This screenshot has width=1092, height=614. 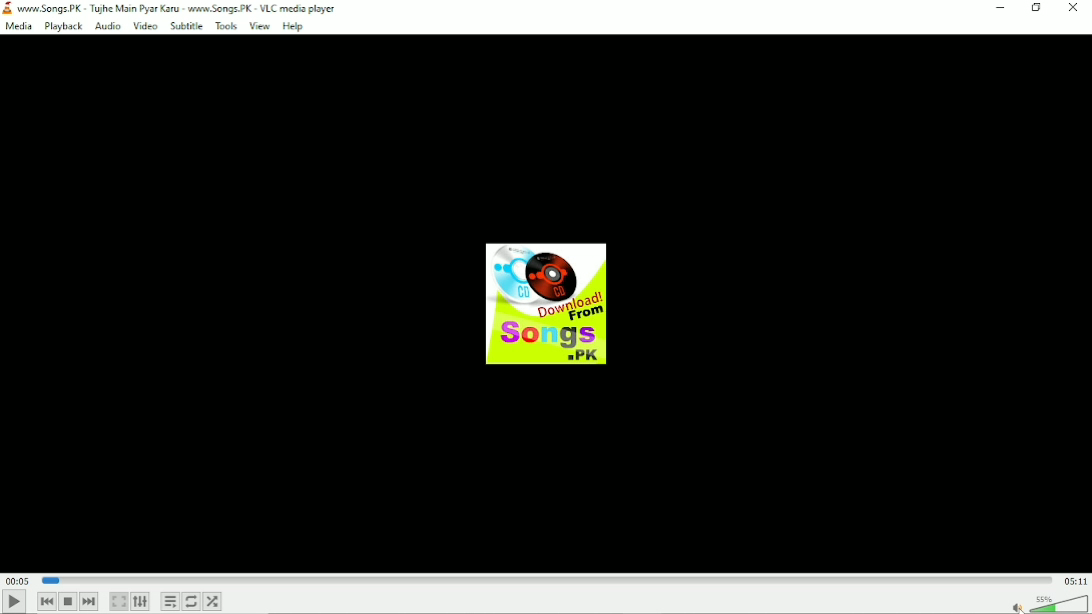 I want to click on Previous, so click(x=48, y=601).